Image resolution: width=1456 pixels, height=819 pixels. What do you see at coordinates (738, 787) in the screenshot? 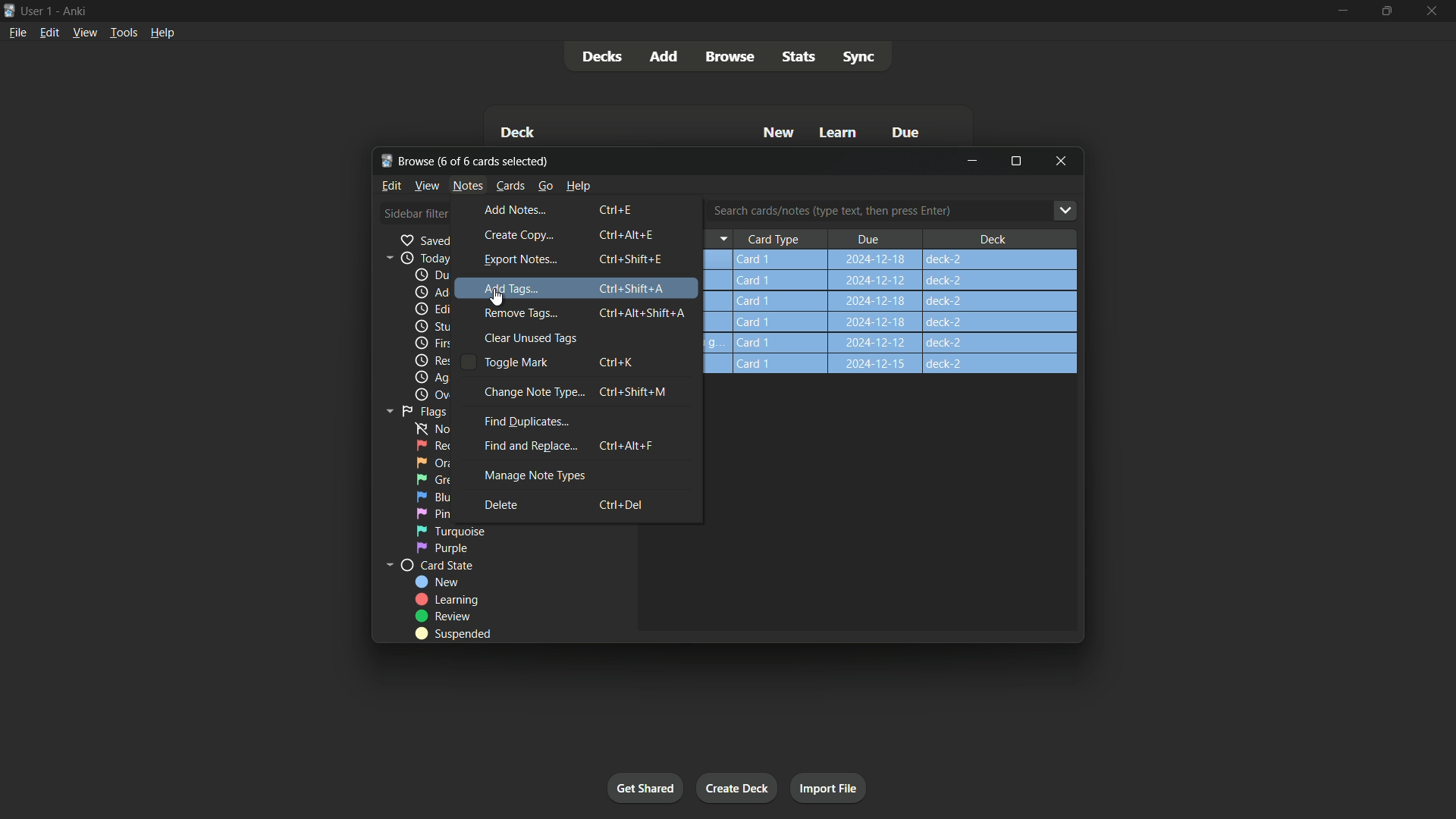
I see `Create deck` at bounding box center [738, 787].